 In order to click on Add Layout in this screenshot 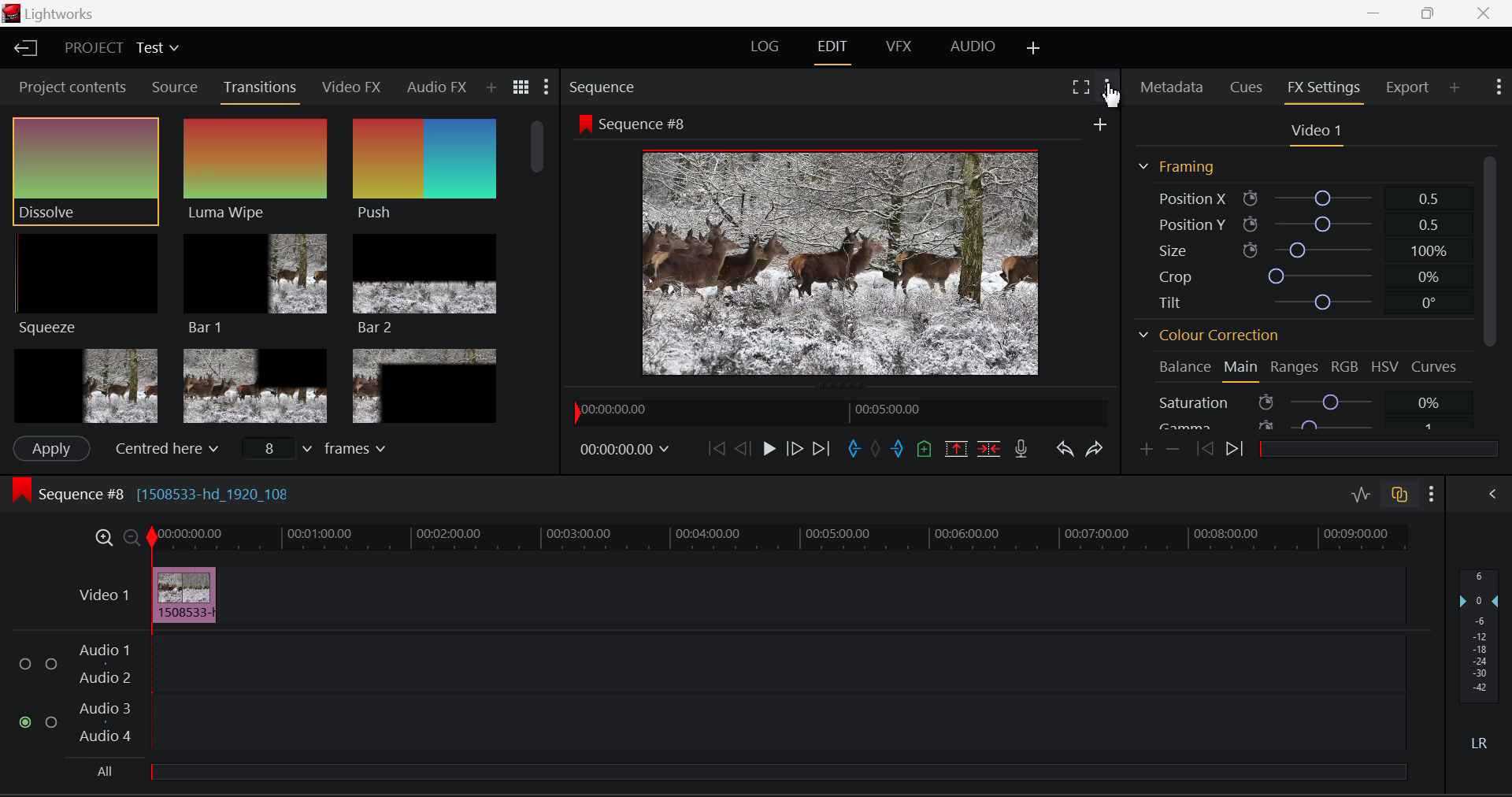, I will do `click(1032, 48)`.